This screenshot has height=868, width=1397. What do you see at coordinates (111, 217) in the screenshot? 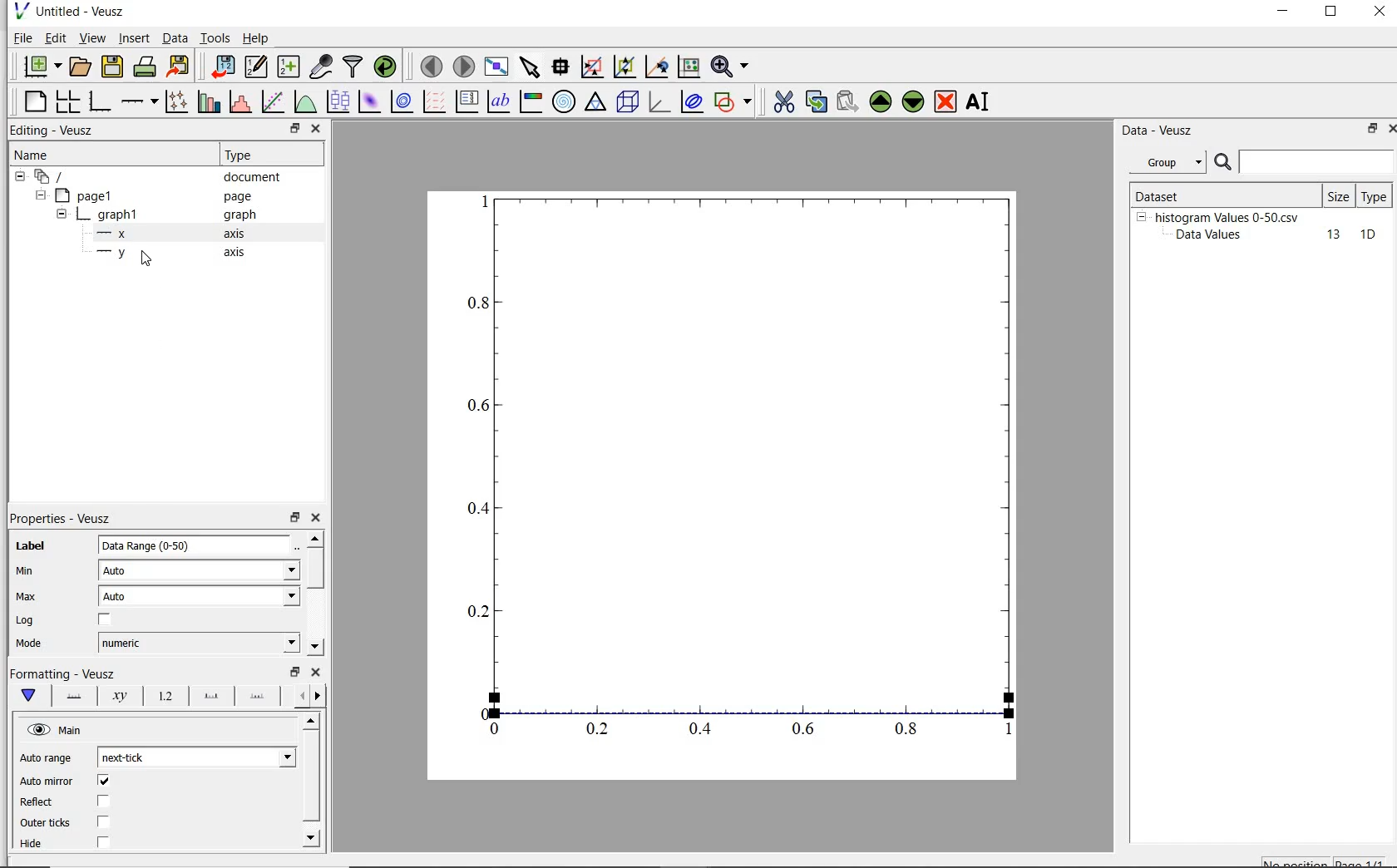
I see `graph1` at bounding box center [111, 217].